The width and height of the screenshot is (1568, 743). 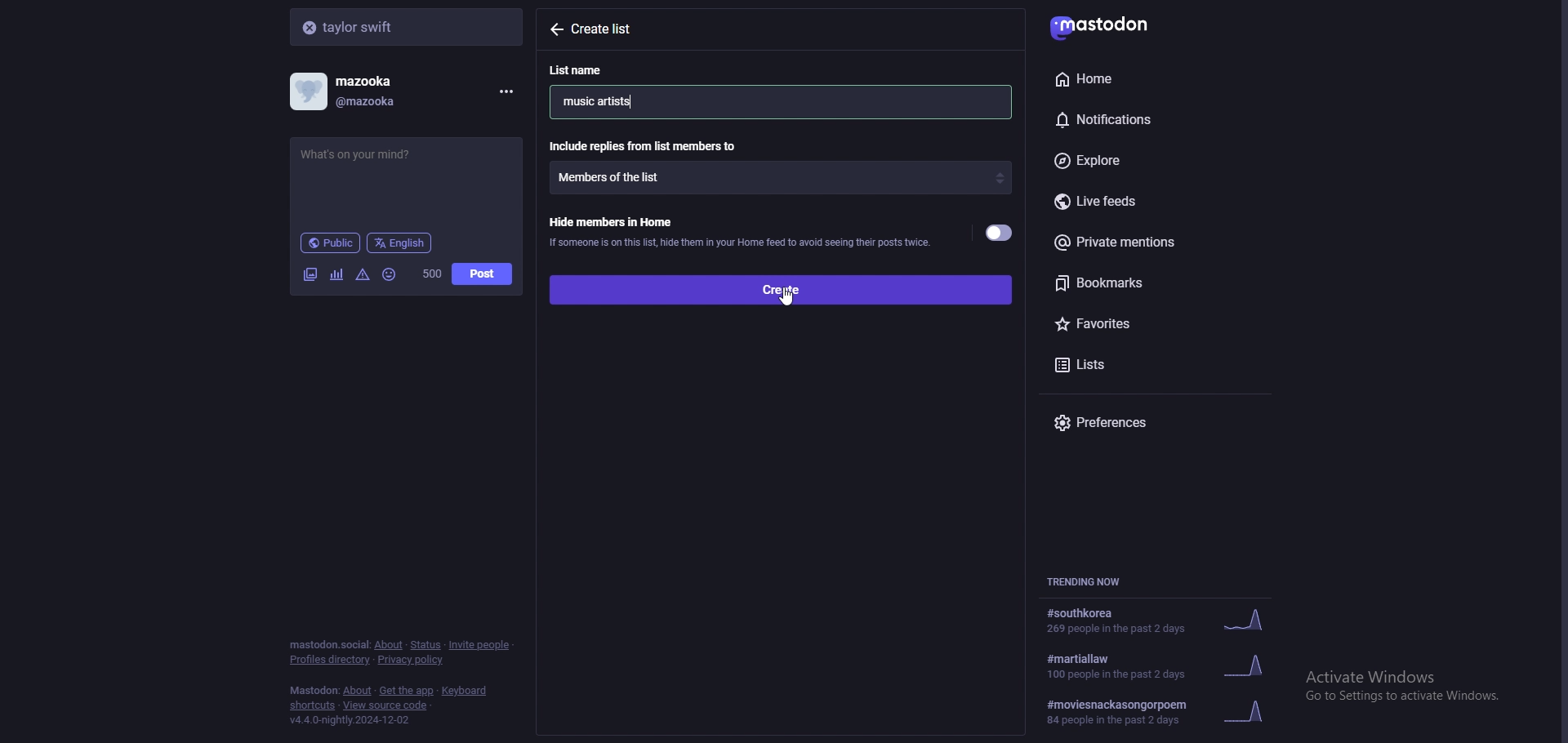 I want to click on create, so click(x=779, y=288).